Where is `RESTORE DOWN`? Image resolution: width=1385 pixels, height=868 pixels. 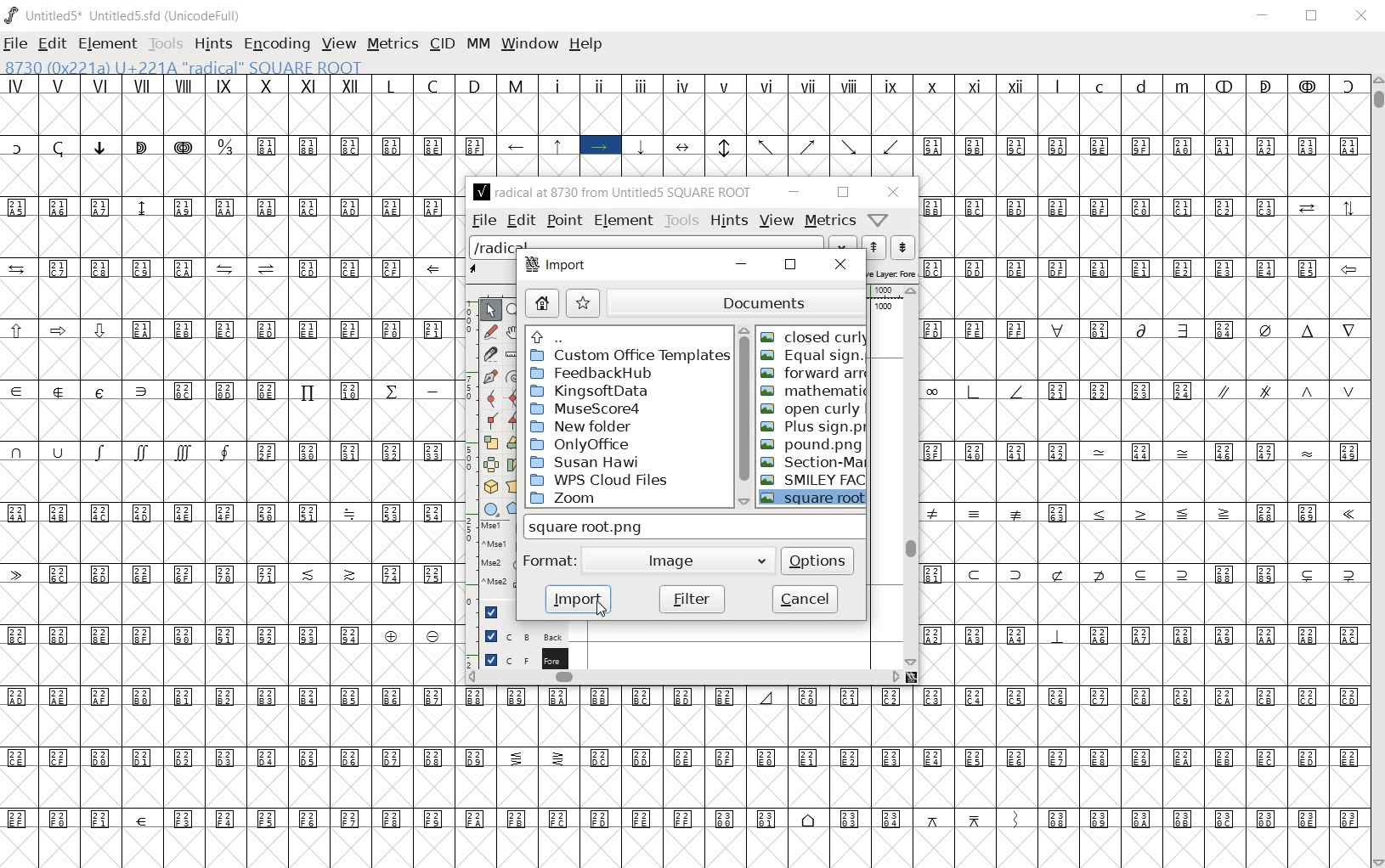
RESTORE DOWN is located at coordinates (1313, 16).